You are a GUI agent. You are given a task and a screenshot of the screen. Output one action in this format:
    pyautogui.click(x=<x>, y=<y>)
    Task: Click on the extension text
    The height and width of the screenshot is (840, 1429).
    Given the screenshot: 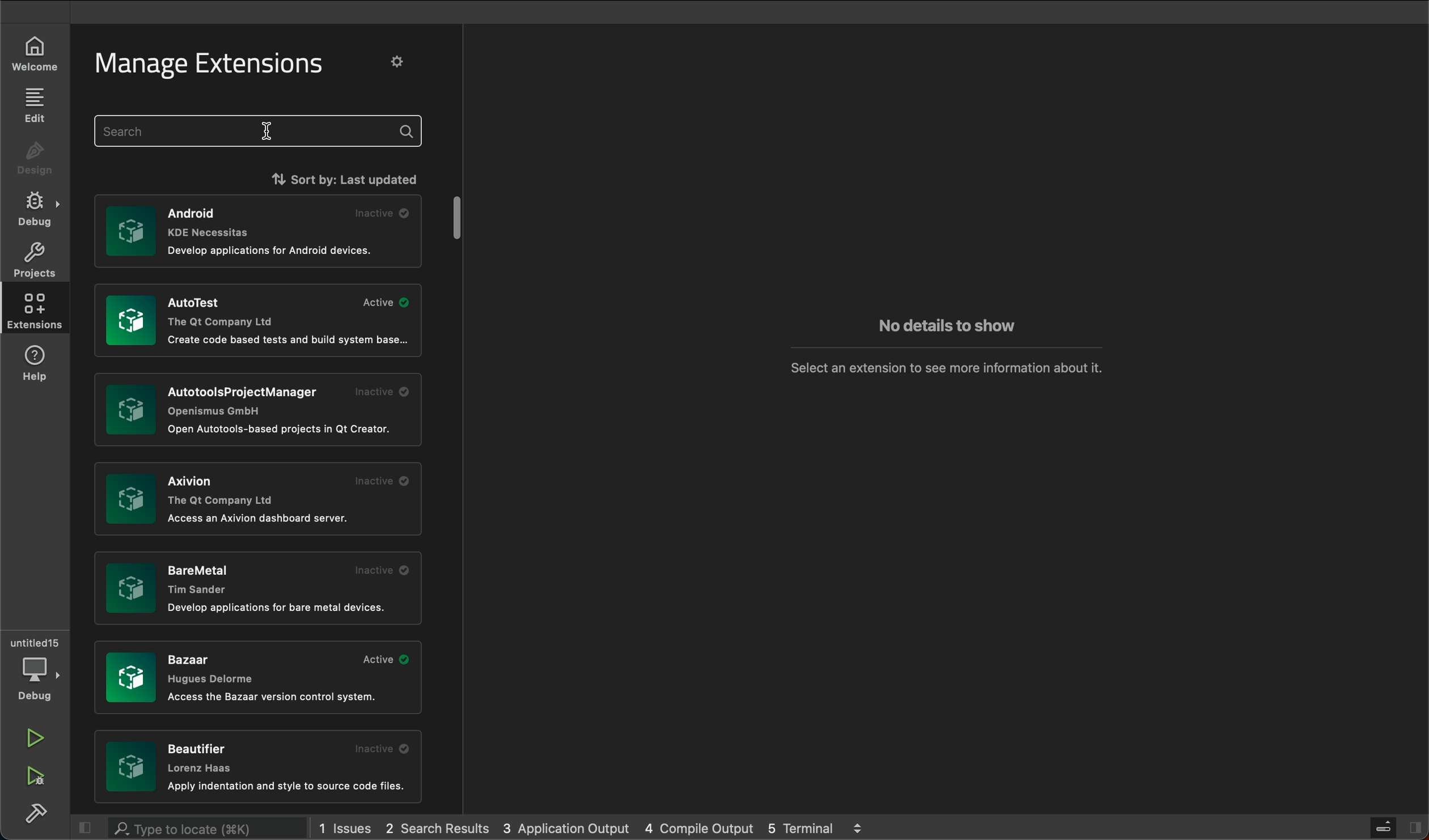 What is the action you would take?
    pyautogui.click(x=274, y=250)
    